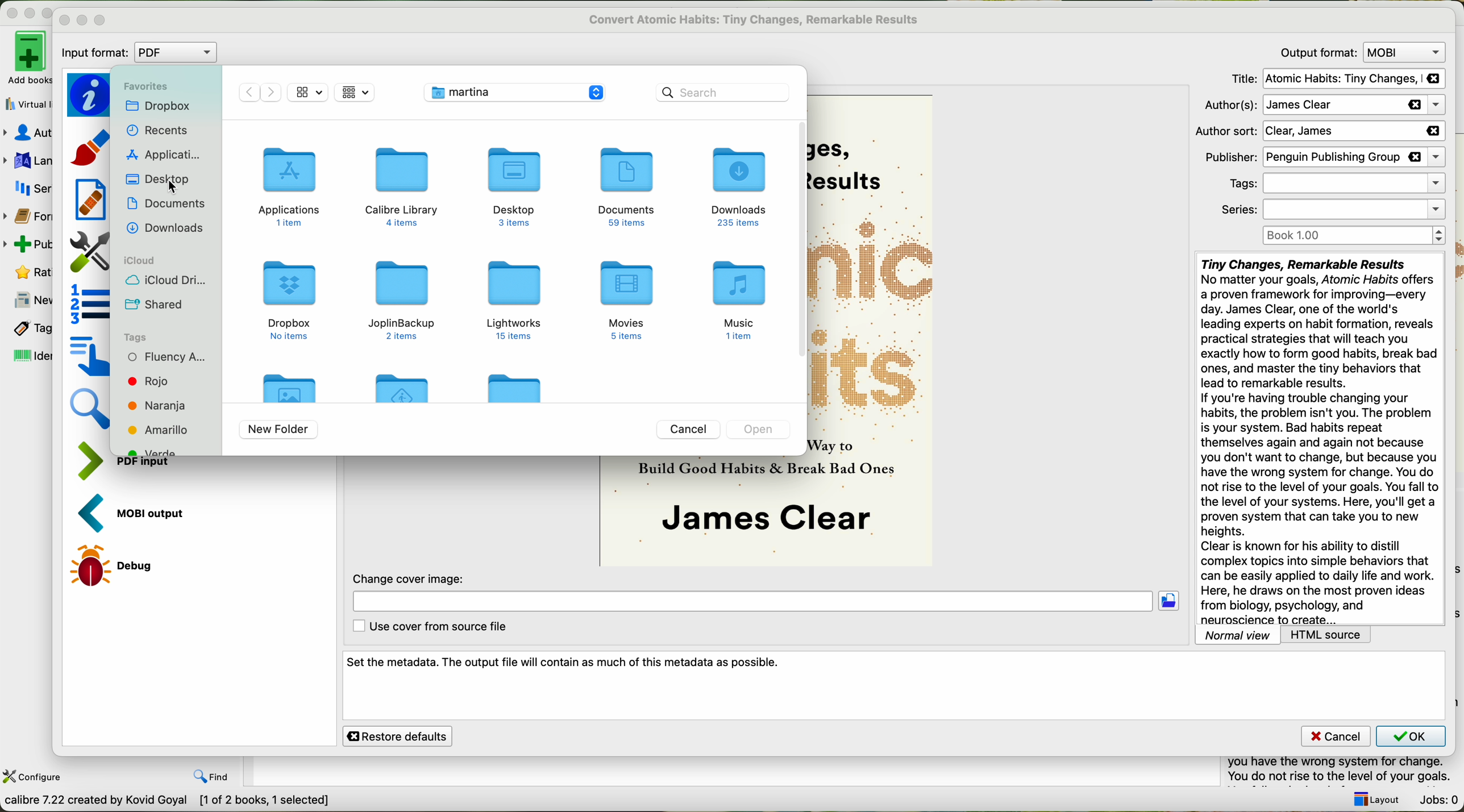  What do you see at coordinates (289, 385) in the screenshot?
I see `folder` at bounding box center [289, 385].